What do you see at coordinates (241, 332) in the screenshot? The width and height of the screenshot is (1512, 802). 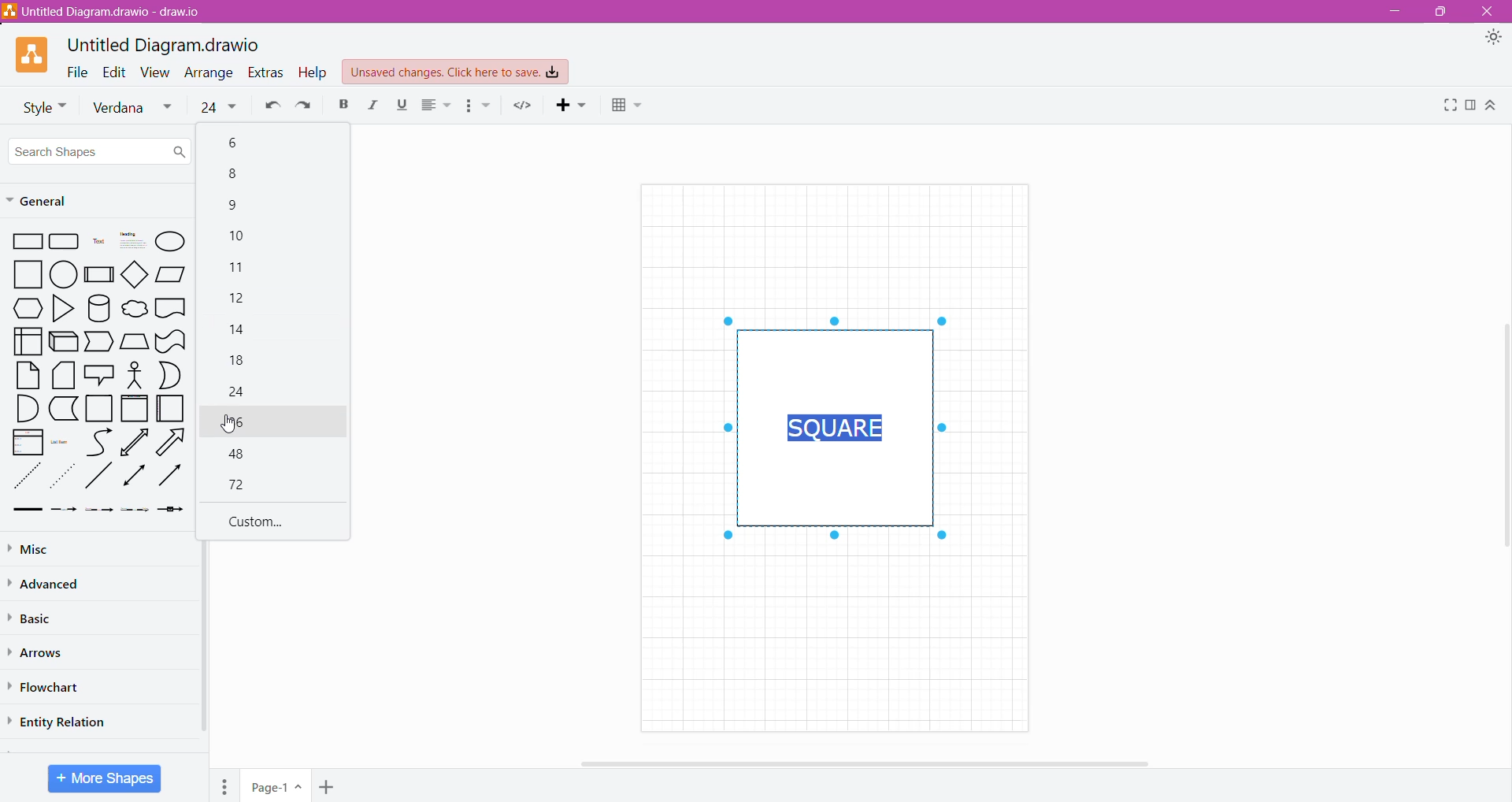 I see `14` at bounding box center [241, 332].